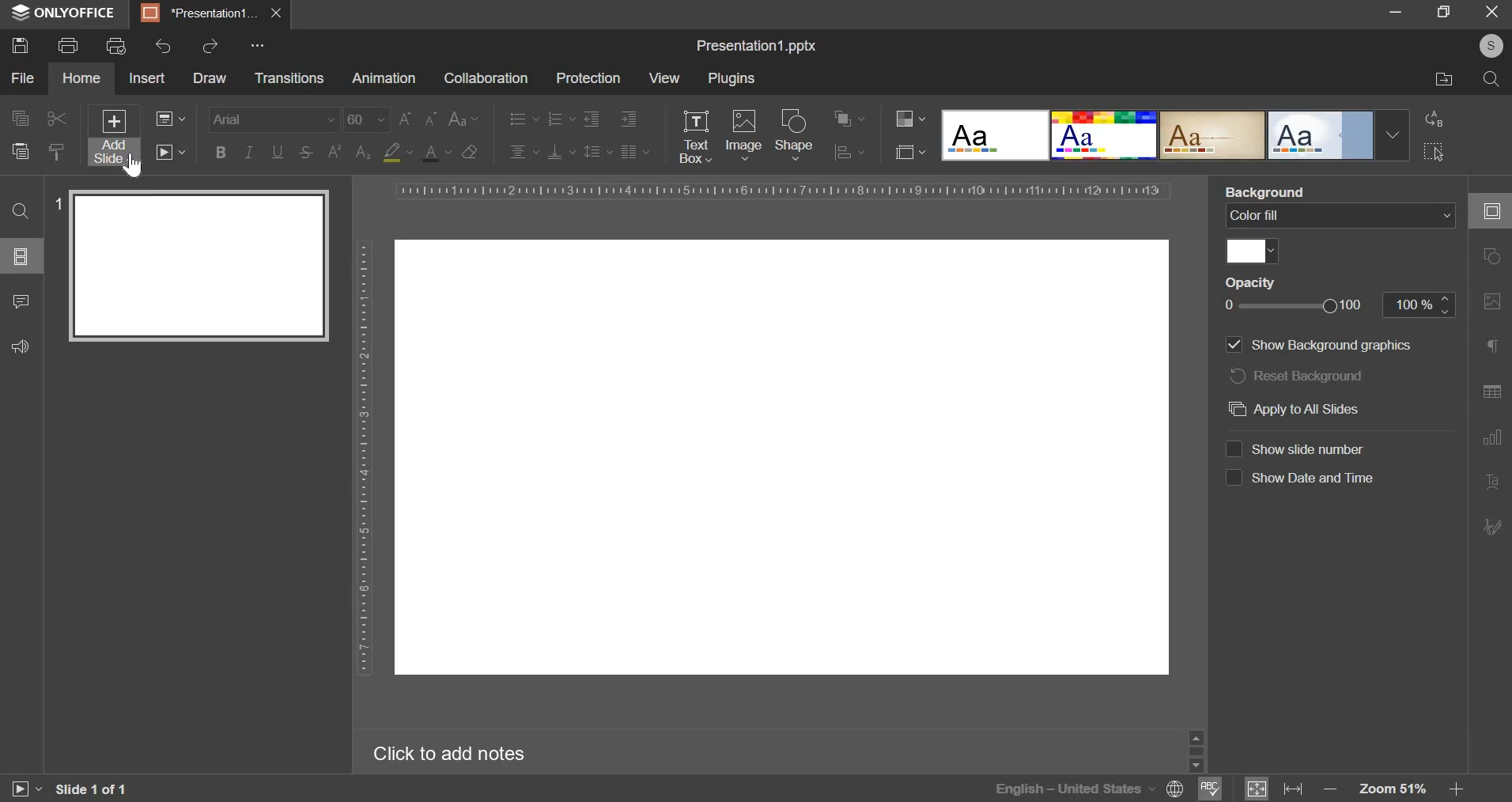 The image size is (1512, 802). I want to click on slide settings, so click(1496, 211).